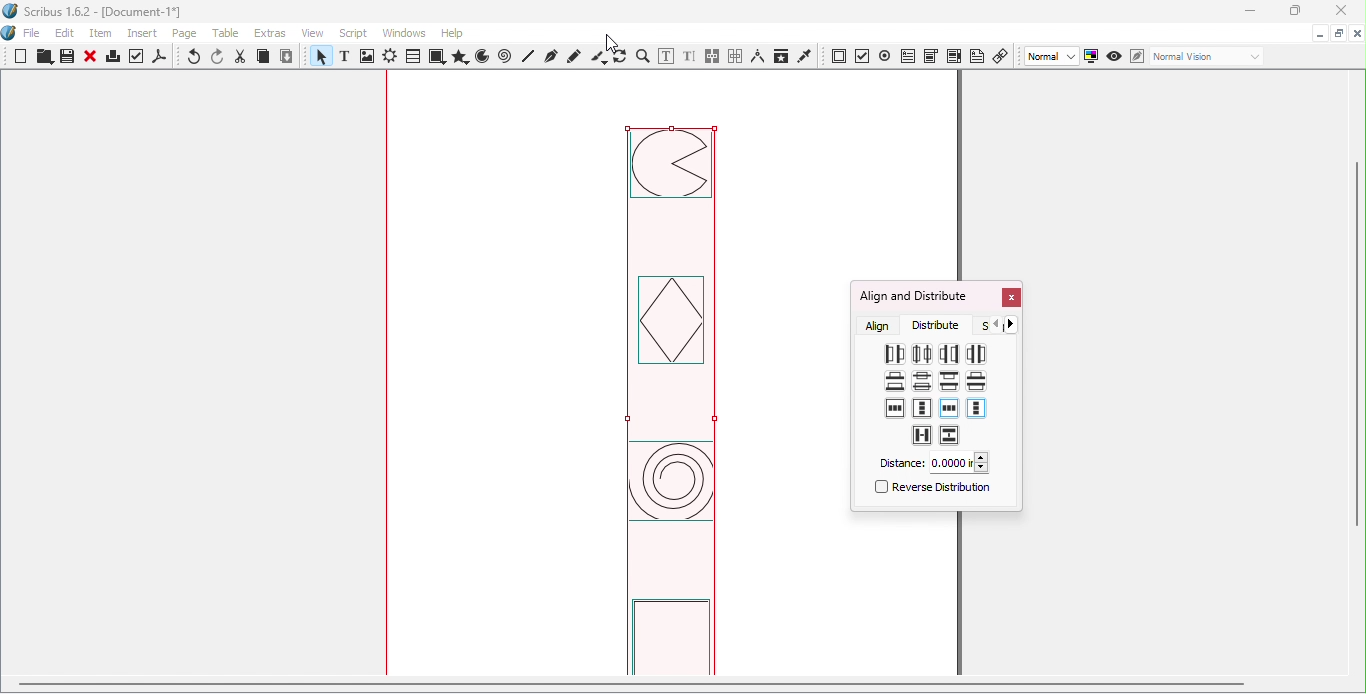  Describe the element at coordinates (65, 57) in the screenshot. I see `Save` at that location.